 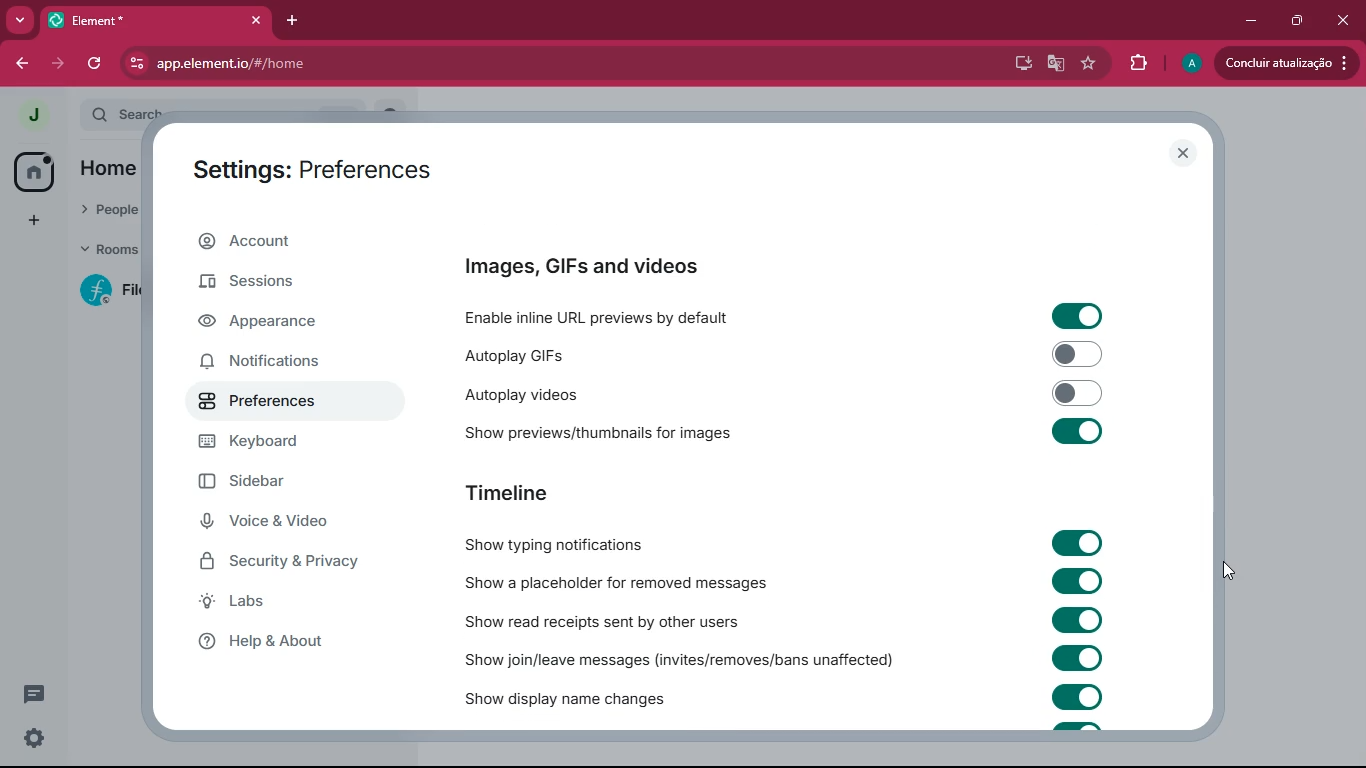 What do you see at coordinates (1079, 581) in the screenshot?
I see `toggle on/off` at bounding box center [1079, 581].